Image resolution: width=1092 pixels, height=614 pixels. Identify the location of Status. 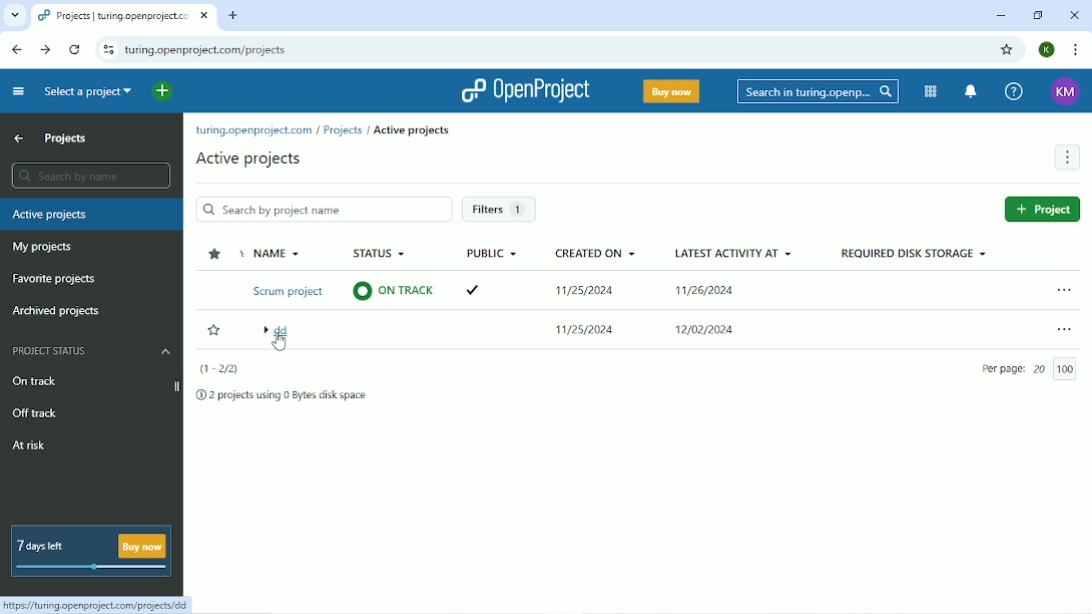
(390, 275).